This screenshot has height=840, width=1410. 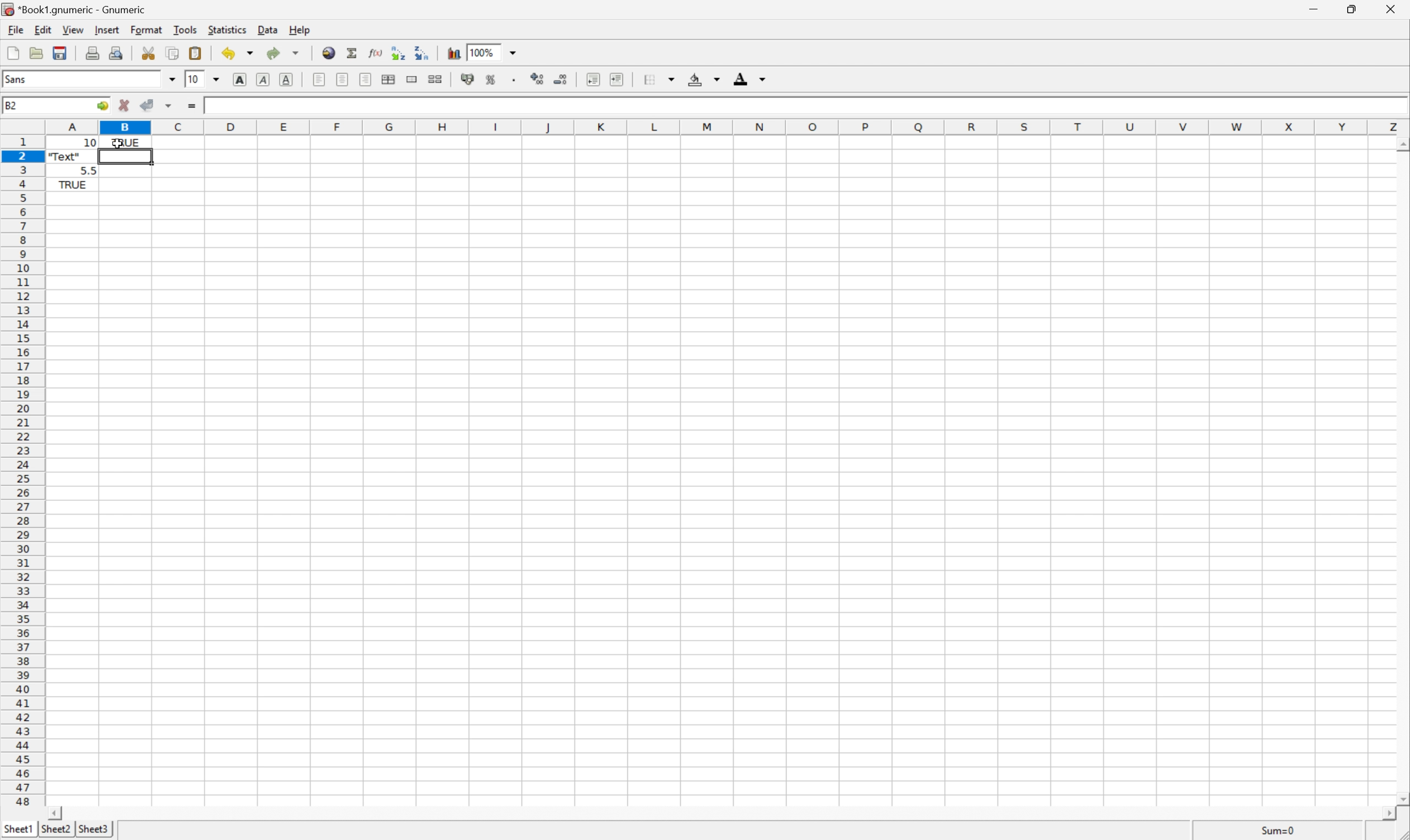 What do you see at coordinates (422, 52) in the screenshot?
I see `Sort the selected region in descending order based on the first column selected` at bounding box center [422, 52].